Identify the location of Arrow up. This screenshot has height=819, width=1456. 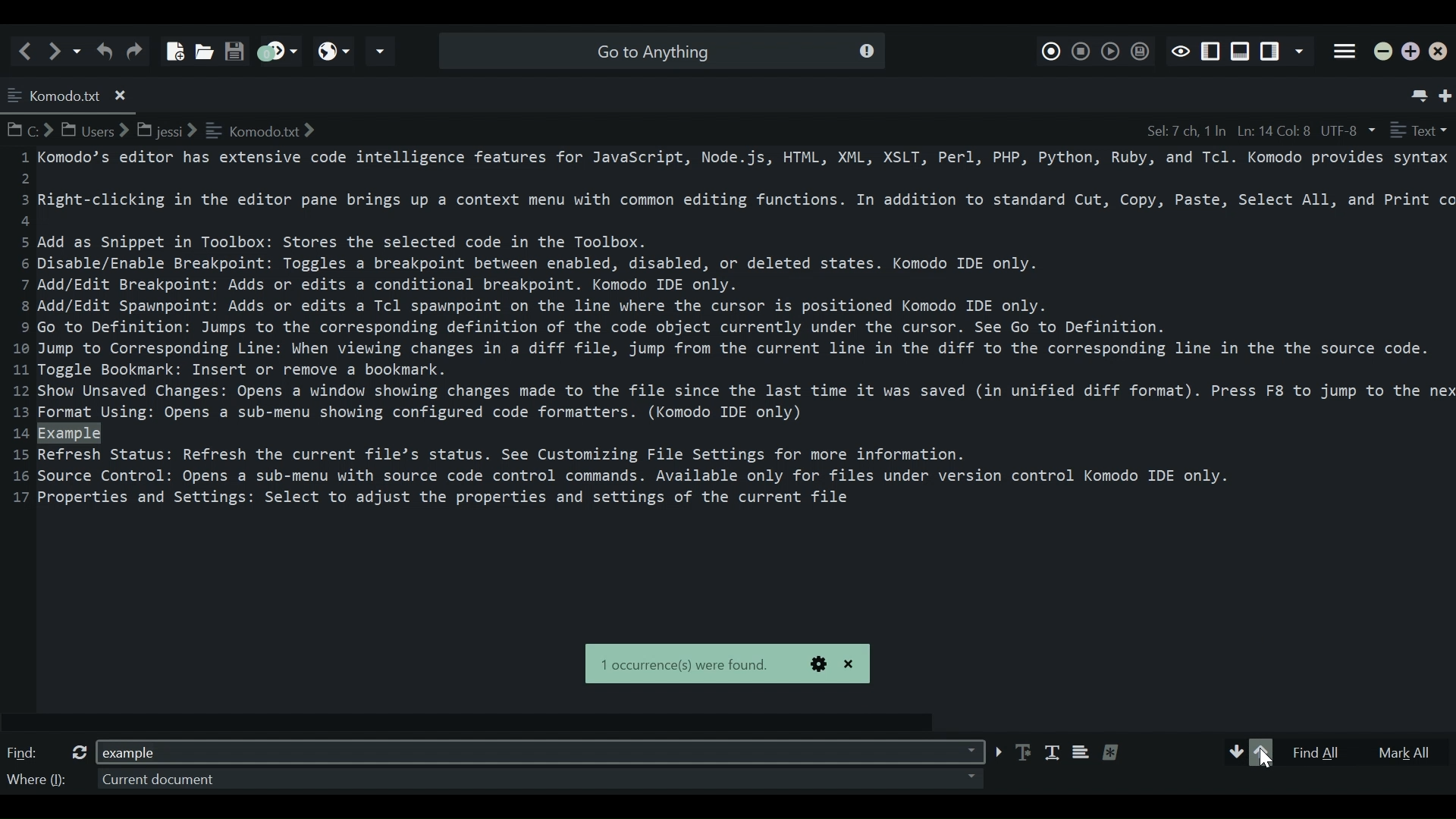
(1261, 752).